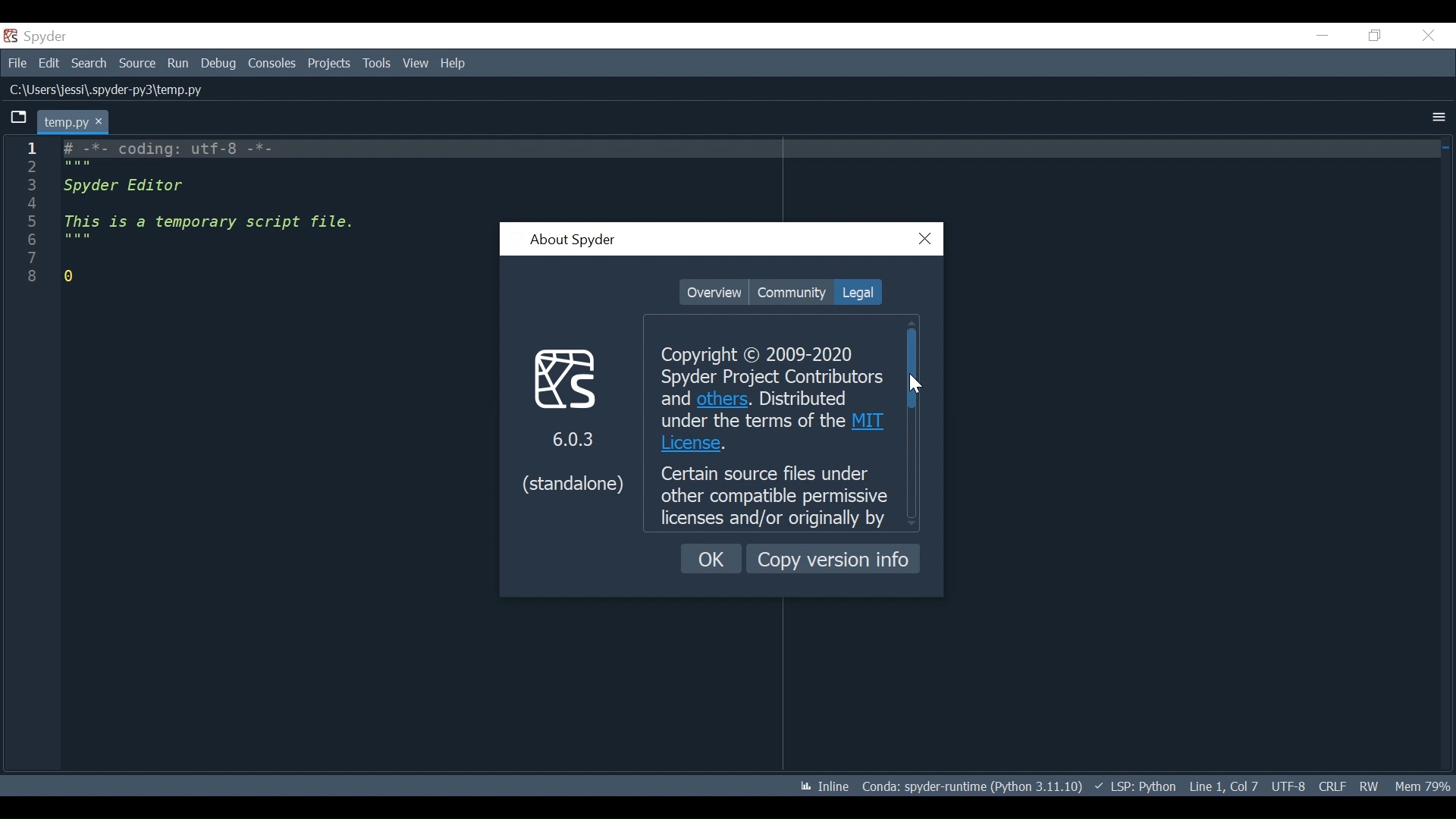 The height and width of the screenshot is (819, 1456). Describe the element at coordinates (1135, 787) in the screenshot. I see `LSP: Python` at that location.